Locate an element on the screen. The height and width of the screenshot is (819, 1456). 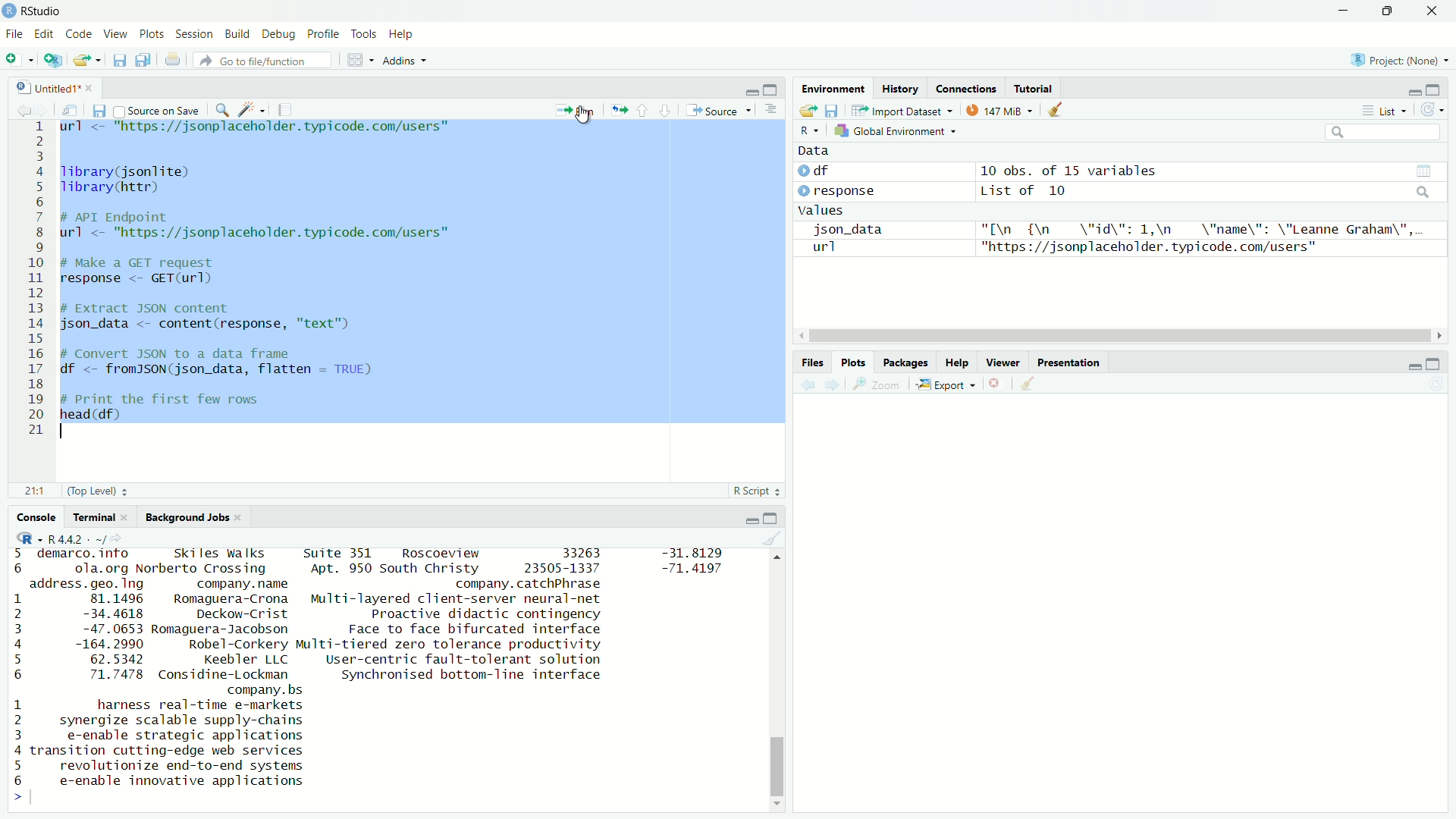
Files is located at coordinates (814, 362).